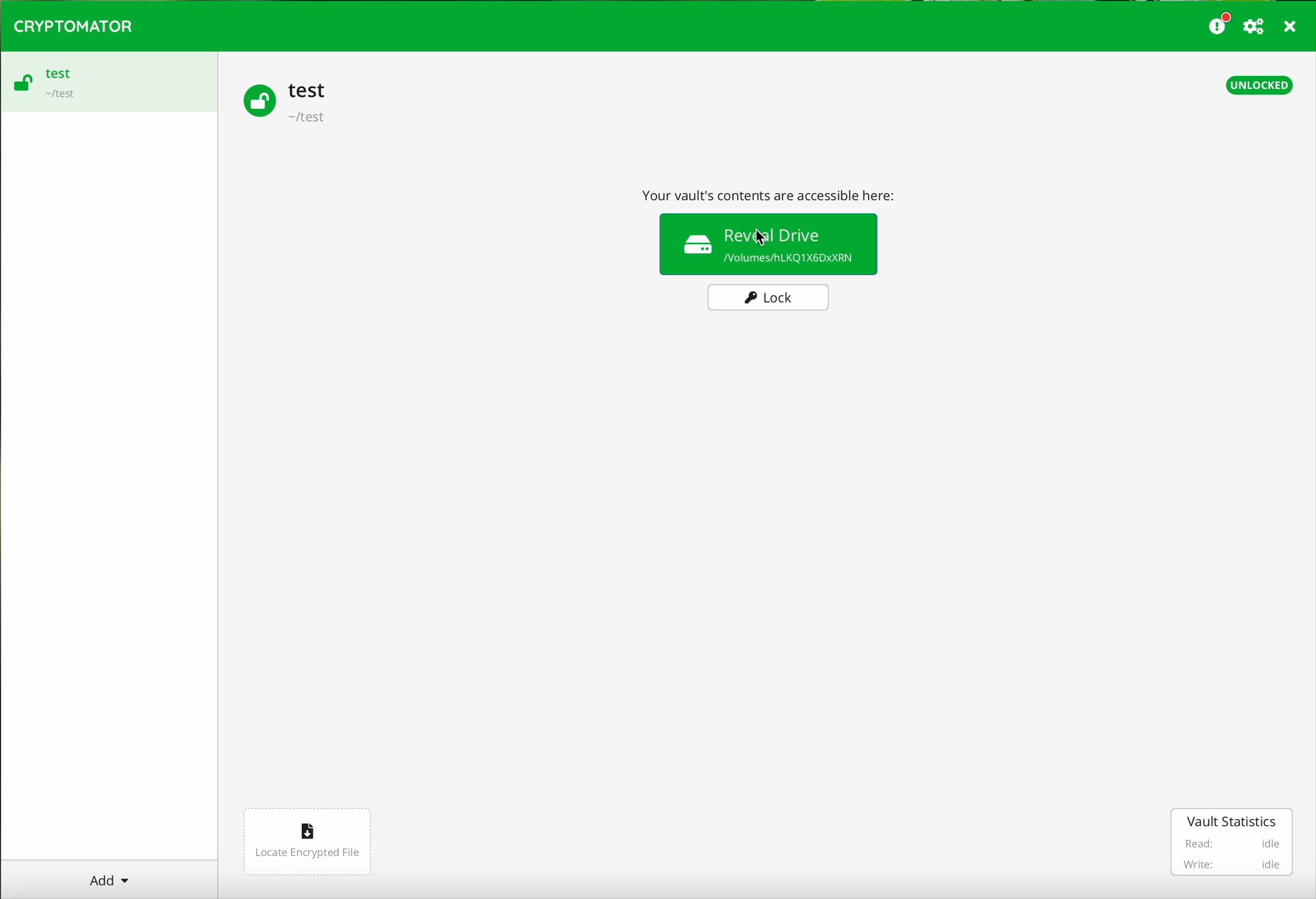  I want to click on vault statistics, so click(1234, 842).